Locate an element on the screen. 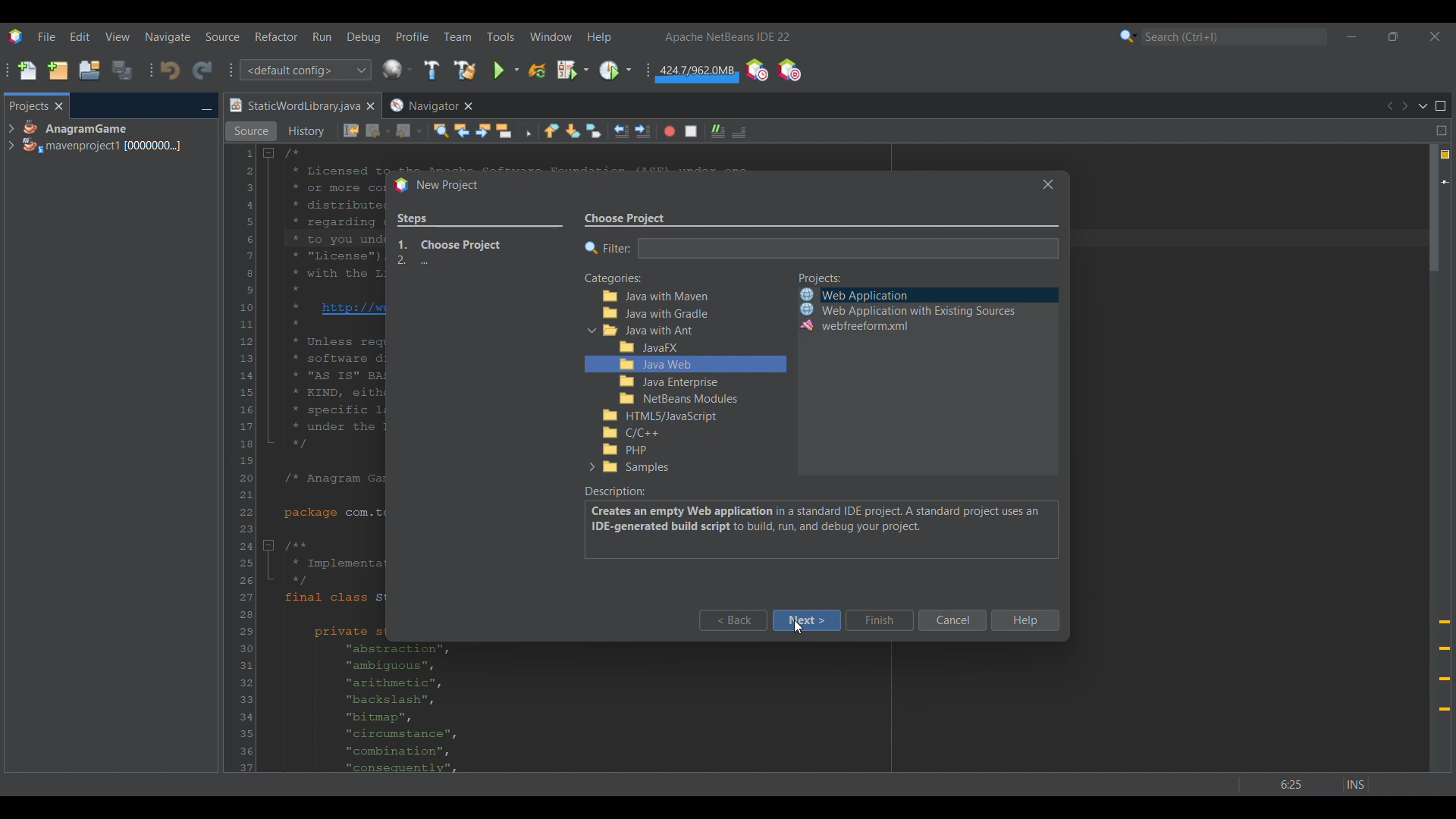 This screenshot has width=1456, height=819. Other tab is located at coordinates (430, 105).